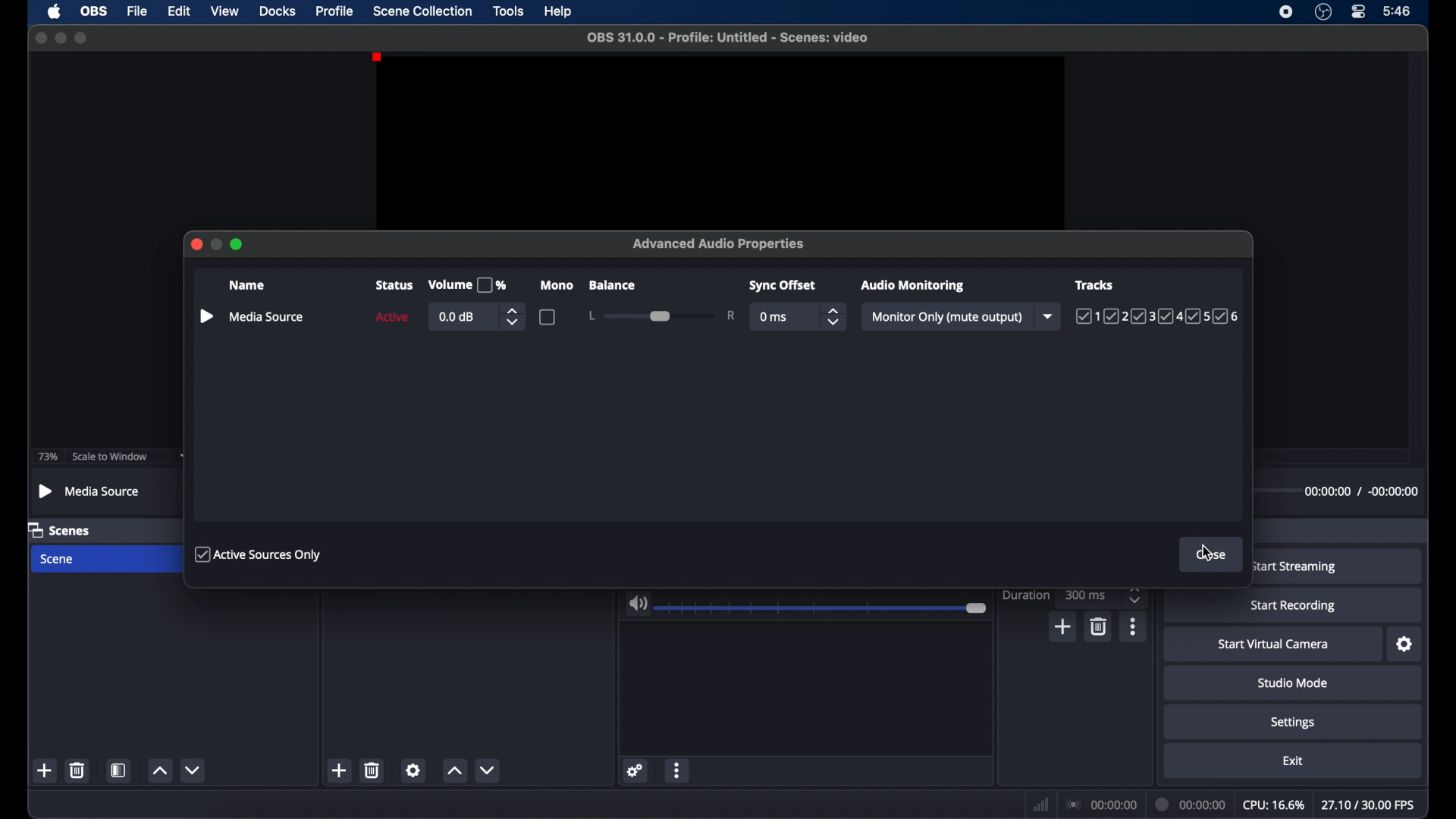  I want to click on audio monitoring, so click(911, 285).